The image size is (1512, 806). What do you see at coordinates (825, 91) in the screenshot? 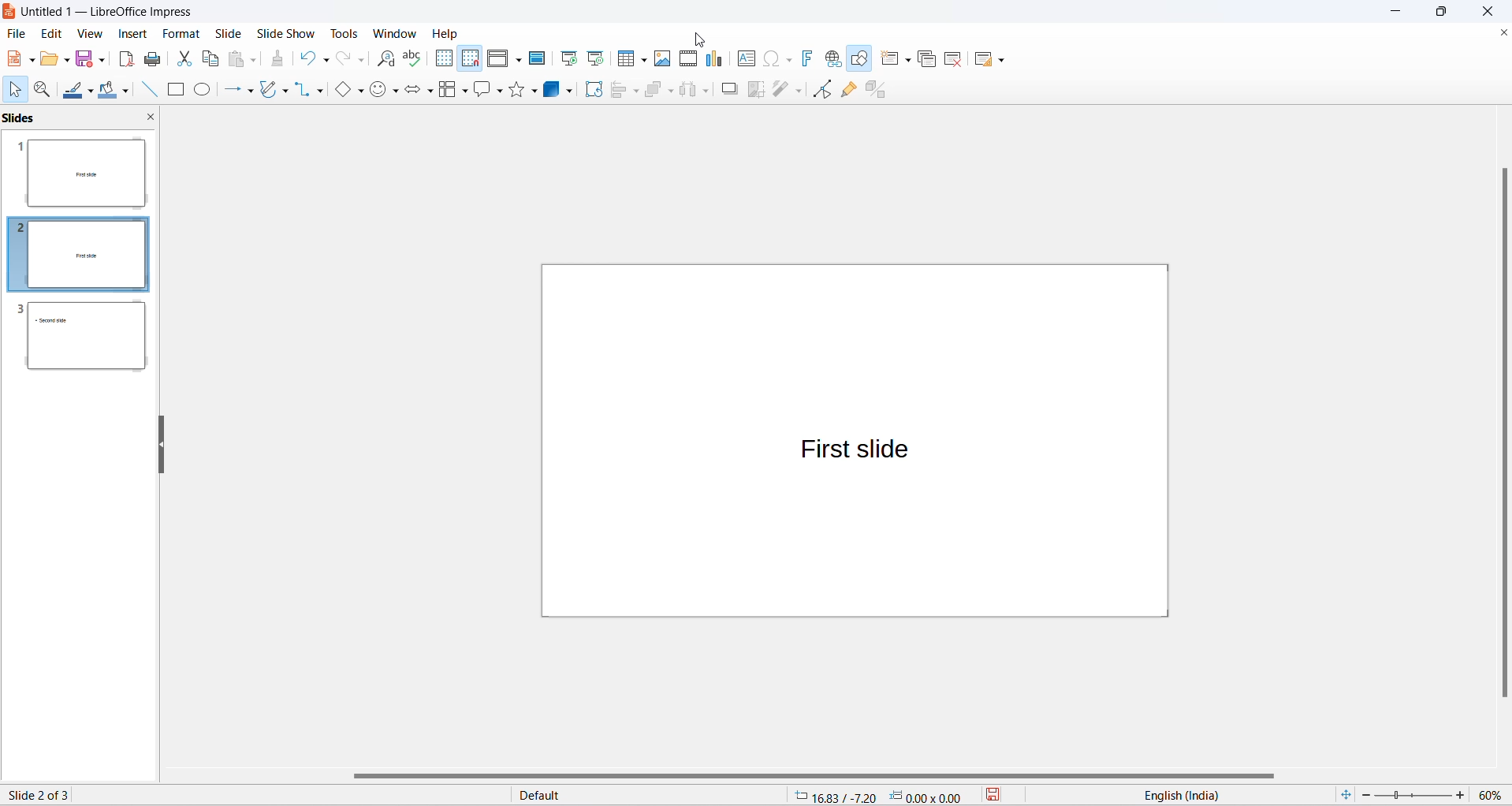
I see `toggle point edit mode` at bounding box center [825, 91].